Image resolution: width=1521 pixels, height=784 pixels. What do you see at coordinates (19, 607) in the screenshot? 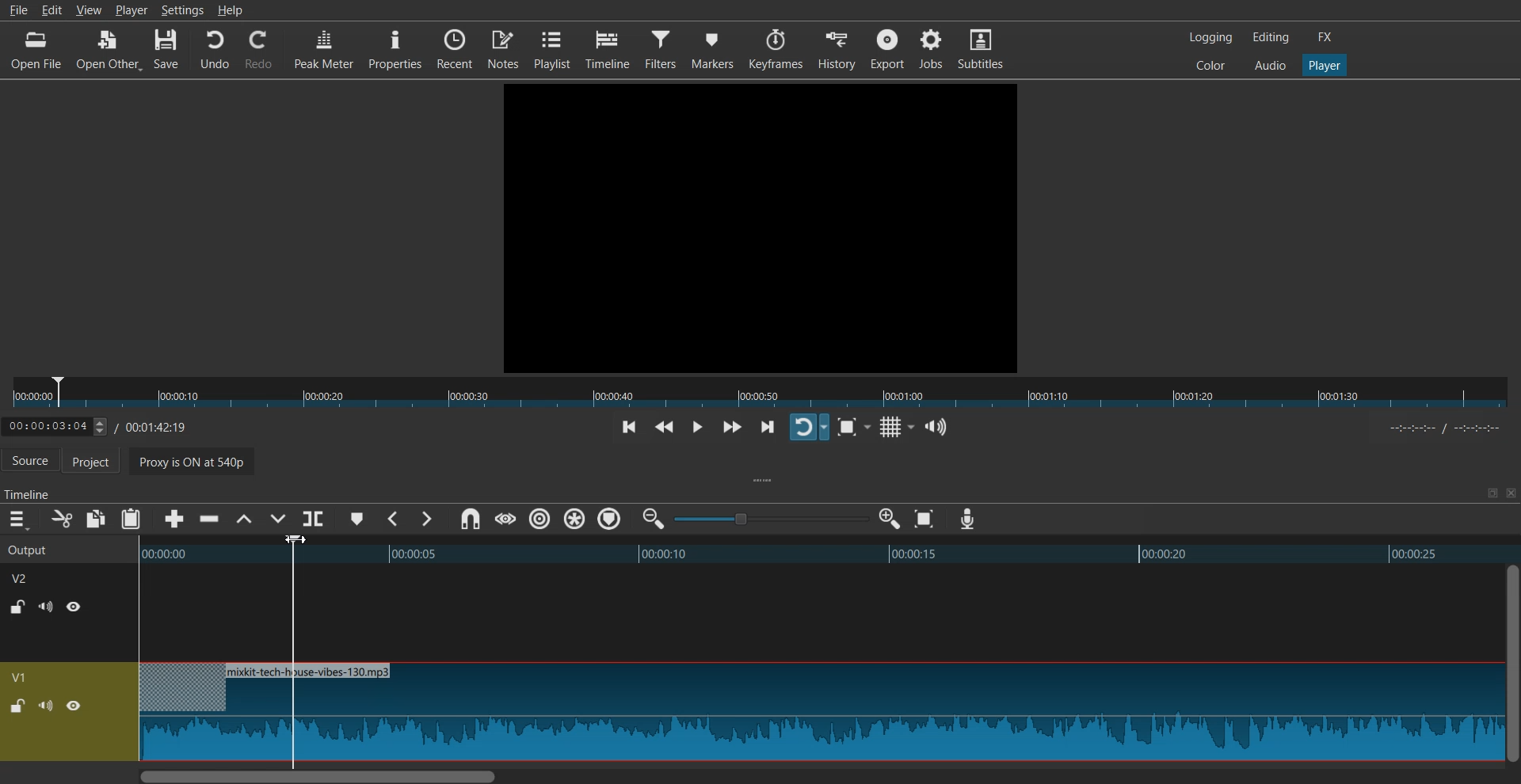
I see `Lock / UnLock` at bounding box center [19, 607].